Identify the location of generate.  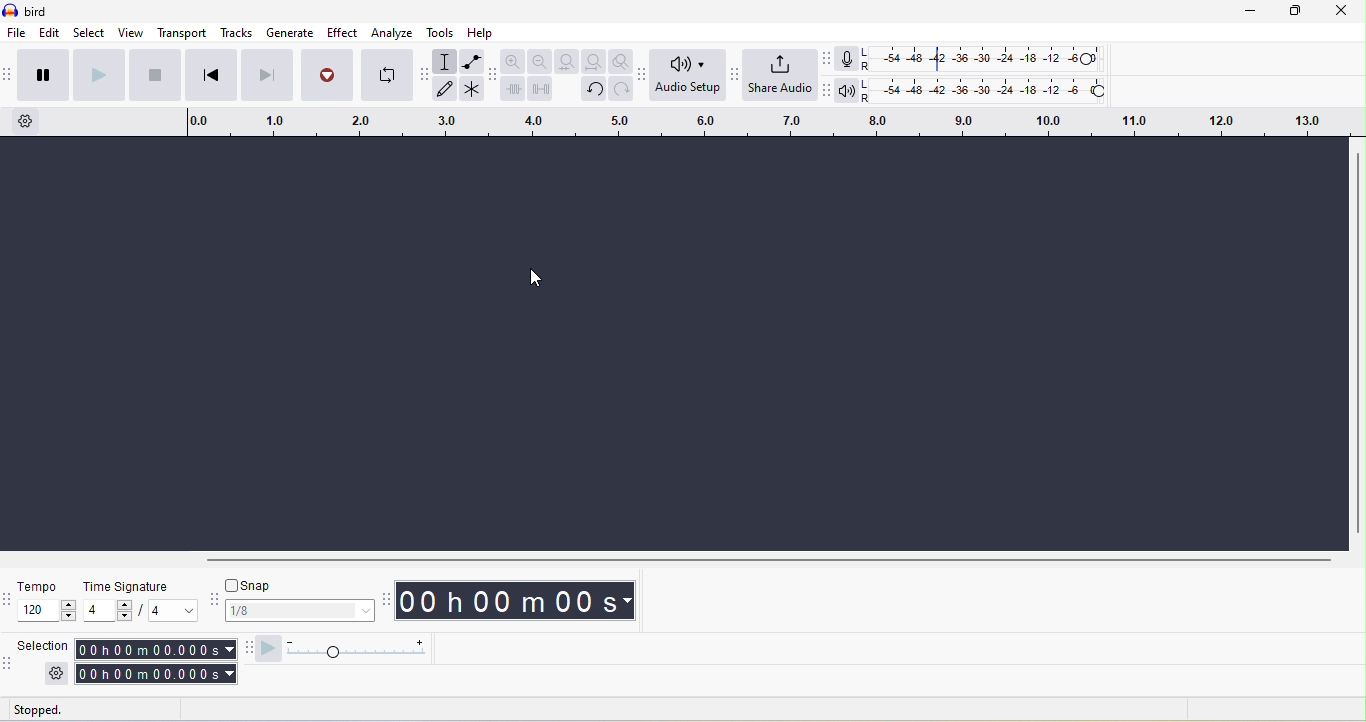
(285, 34).